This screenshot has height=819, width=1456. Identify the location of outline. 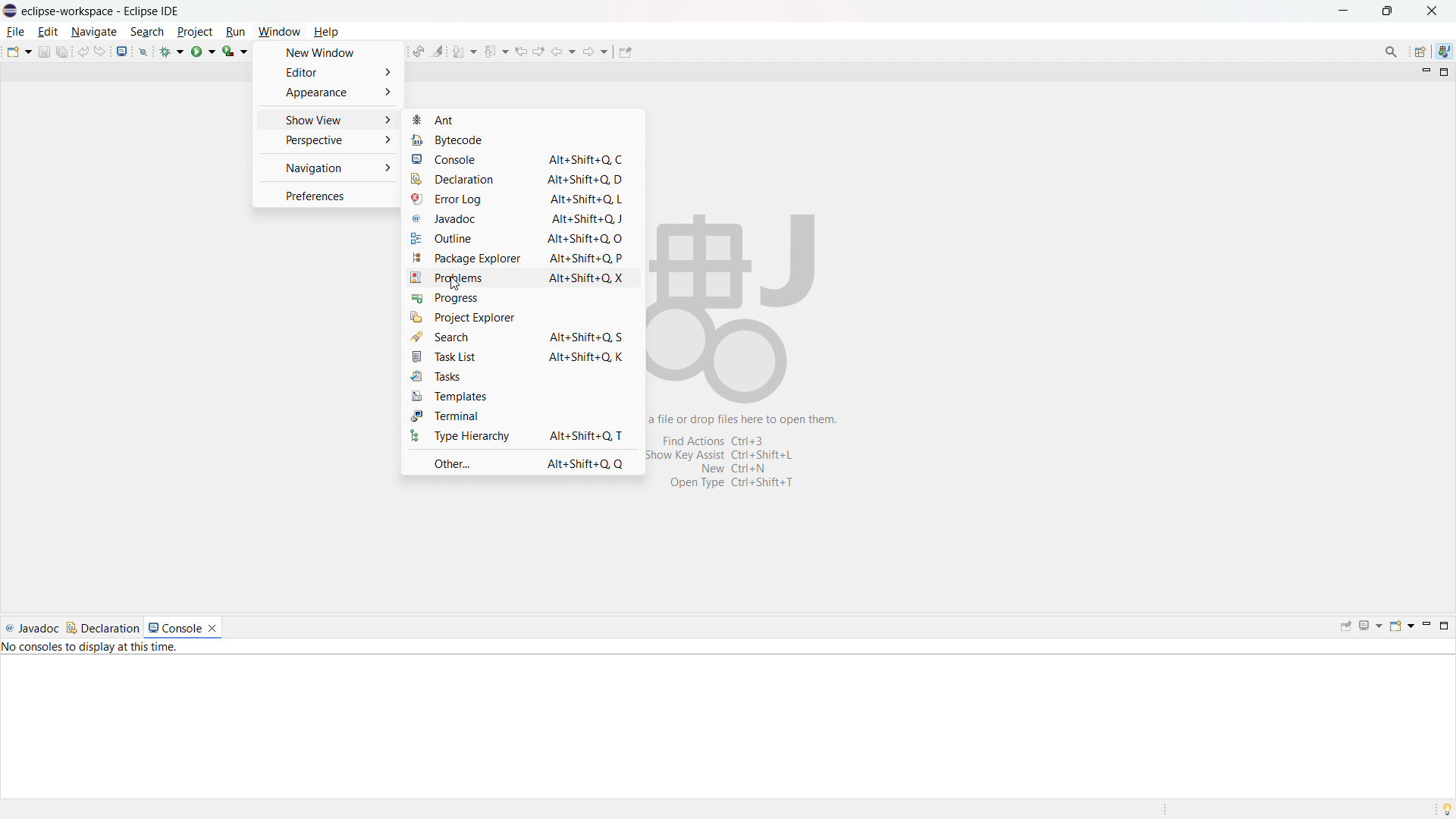
(522, 239).